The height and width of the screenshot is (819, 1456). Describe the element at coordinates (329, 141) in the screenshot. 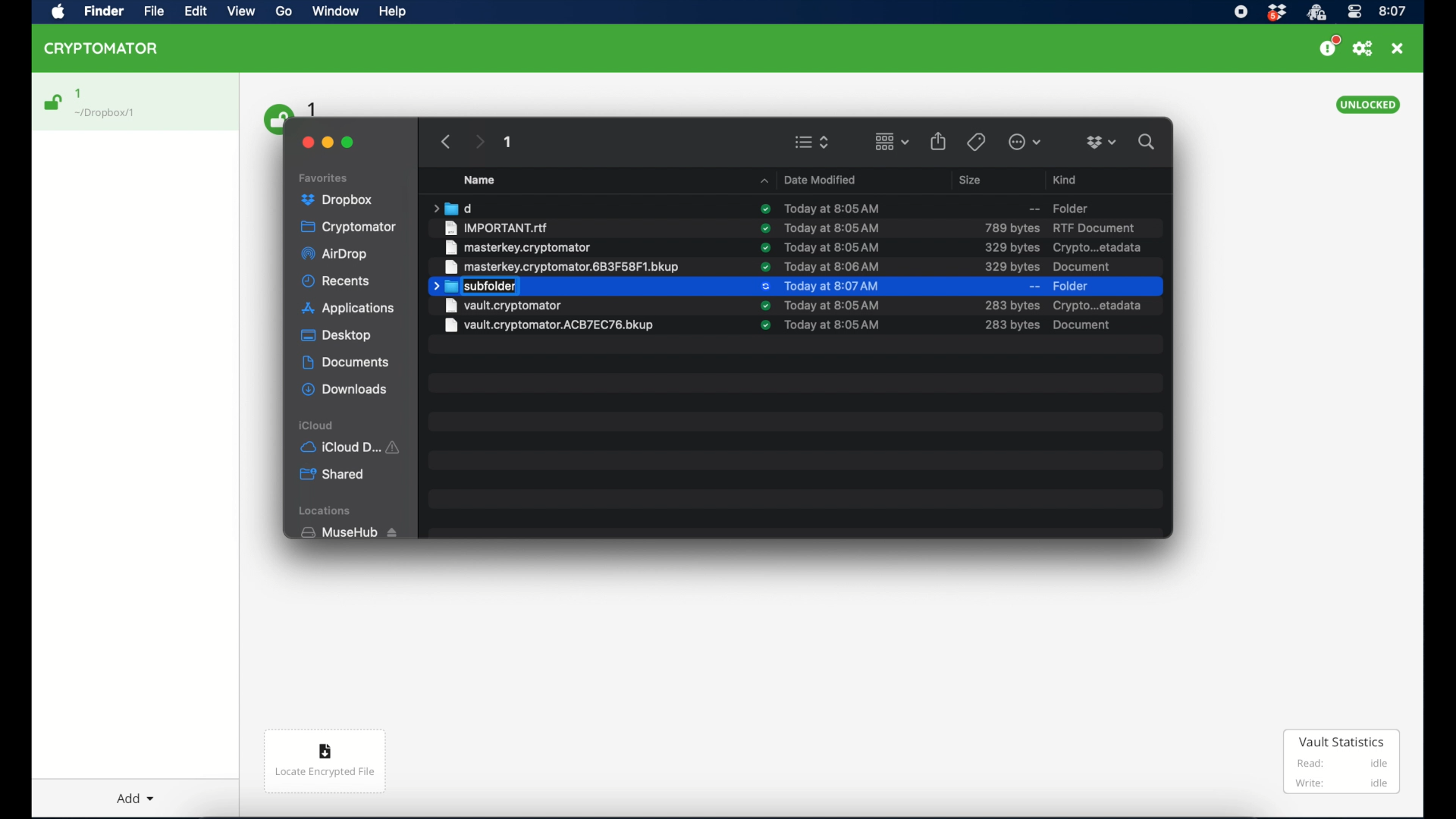

I see `minimize` at that location.